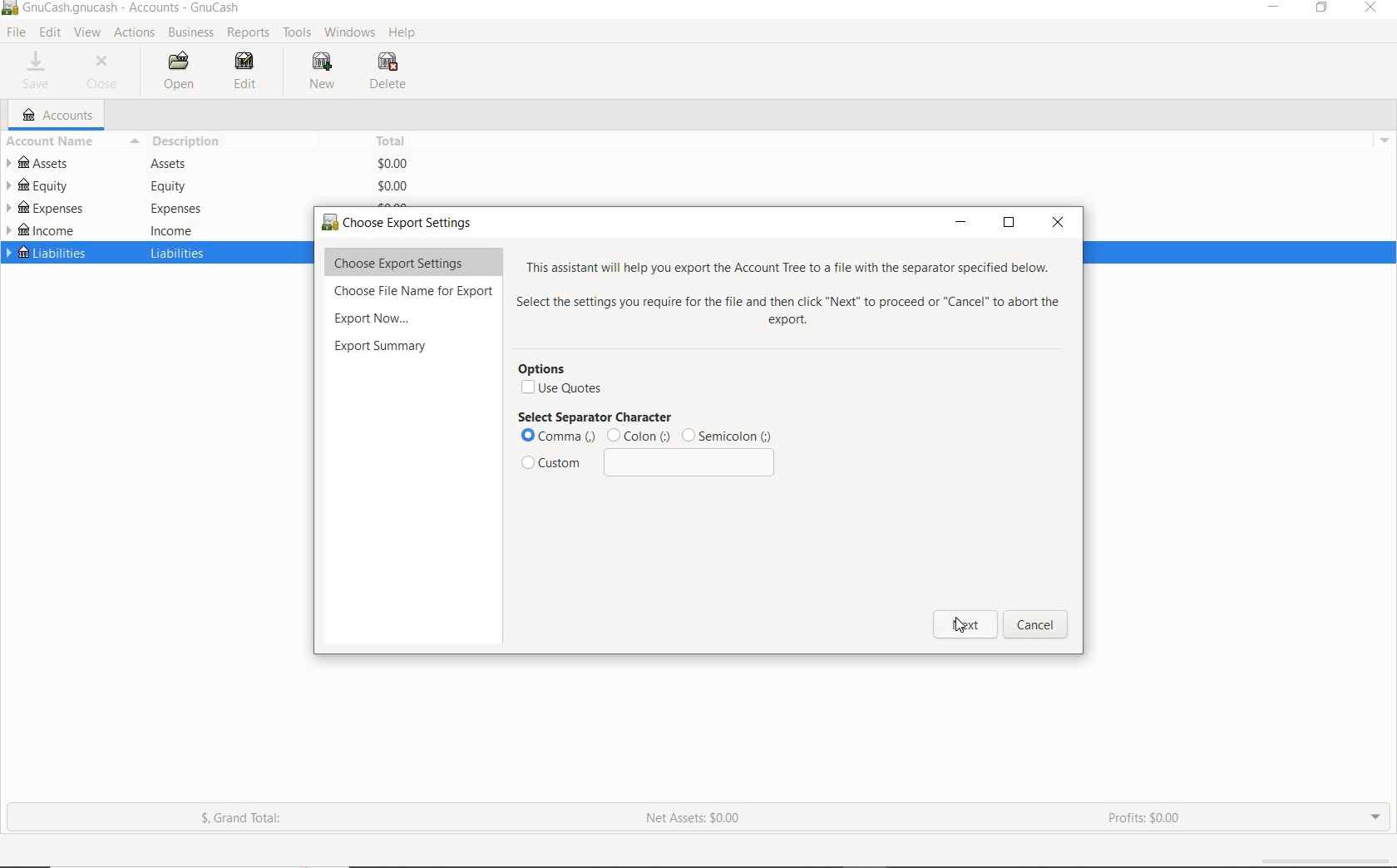  What do you see at coordinates (42, 162) in the screenshot?
I see `ASSETS` at bounding box center [42, 162].